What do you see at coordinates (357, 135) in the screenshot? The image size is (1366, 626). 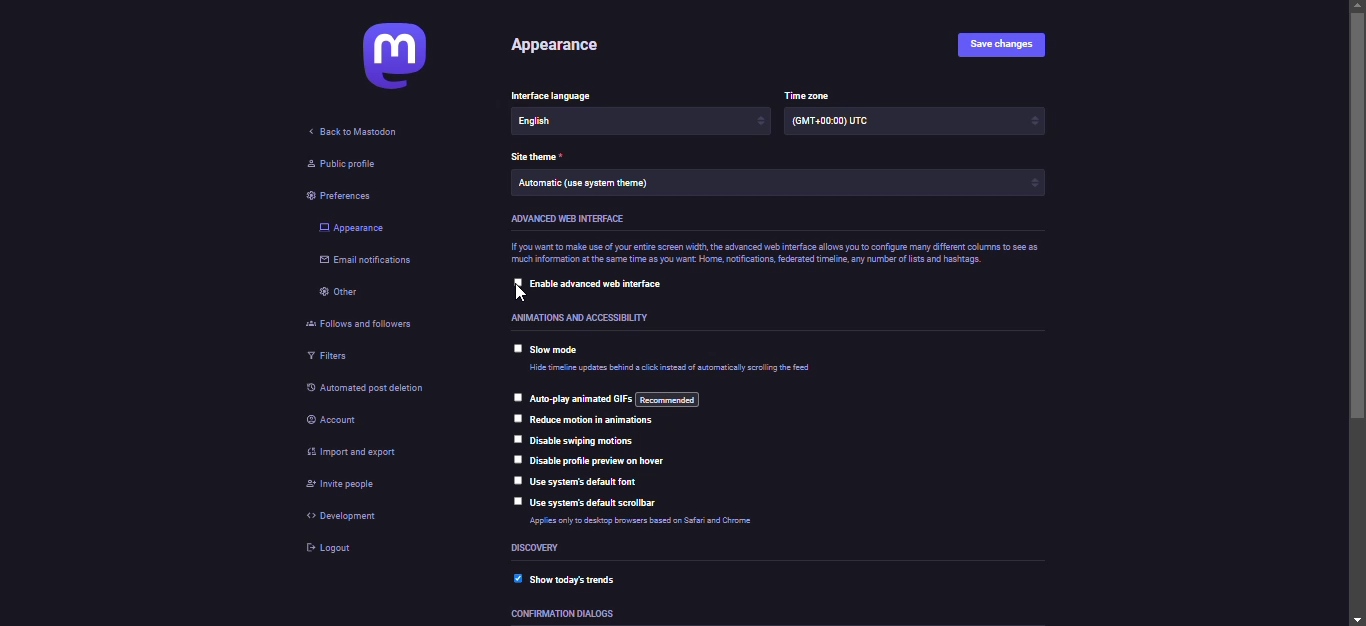 I see `back to mastodon` at bounding box center [357, 135].